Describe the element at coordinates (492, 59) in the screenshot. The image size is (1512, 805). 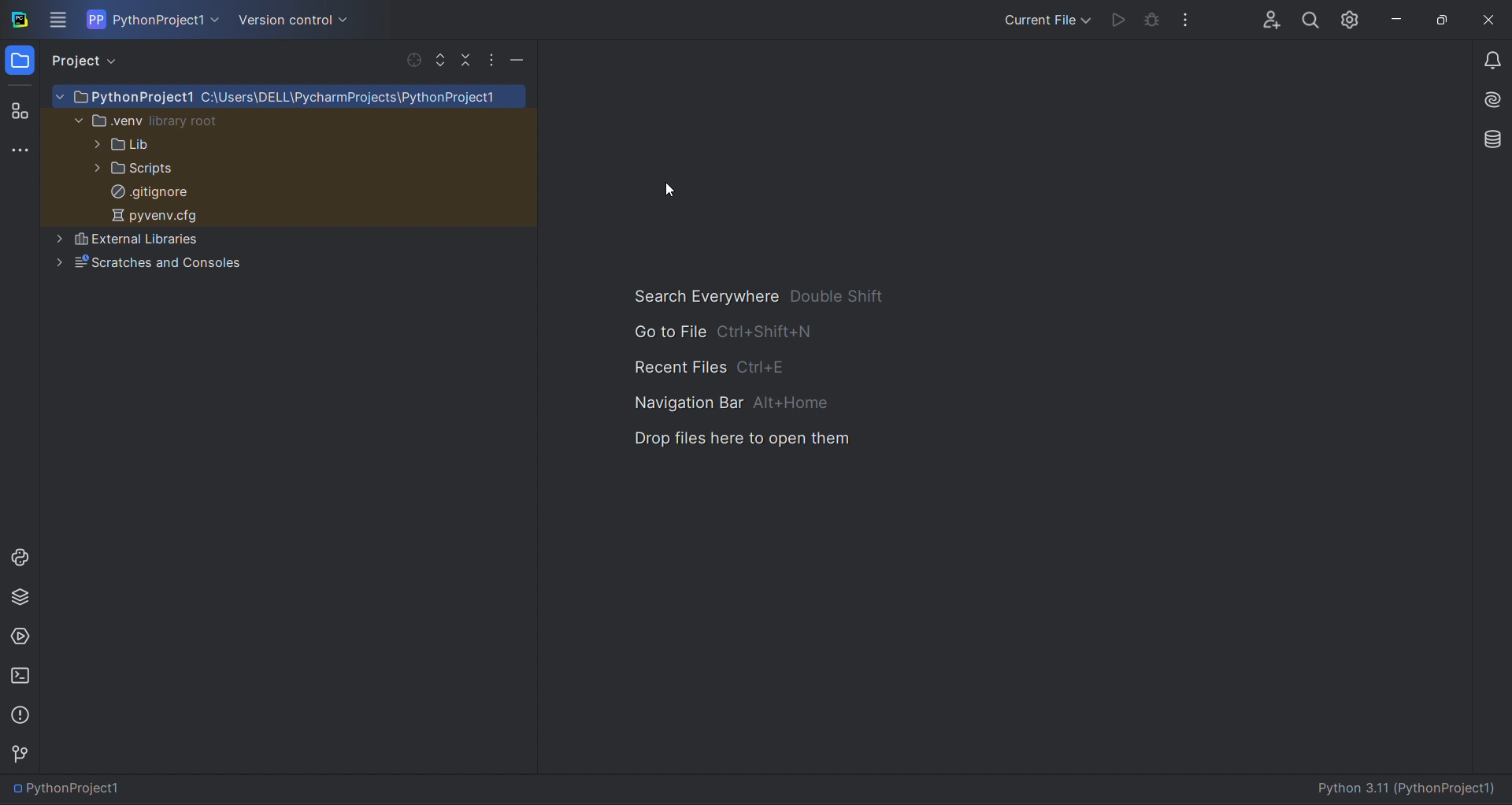
I see `more actions` at that location.